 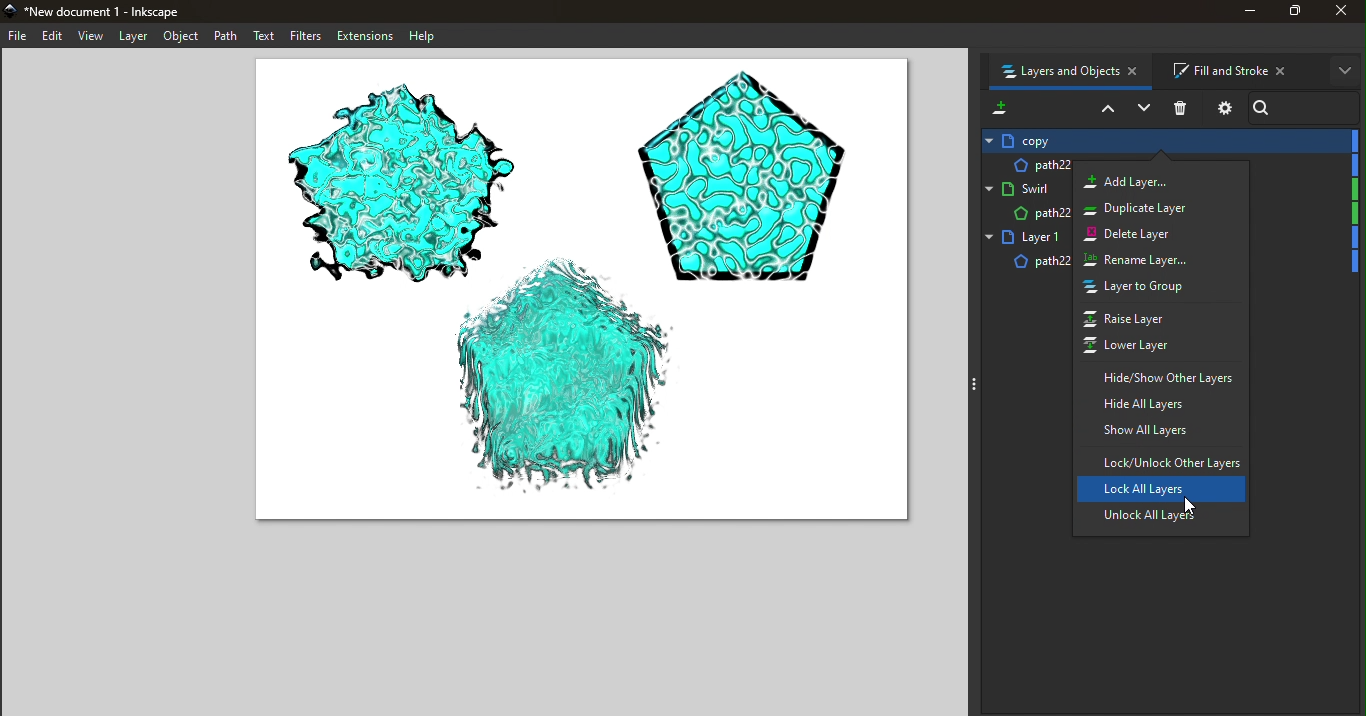 What do you see at coordinates (1183, 108) in the screenshot?
I see `Delete selected item` at bounding box center [1183, 108].